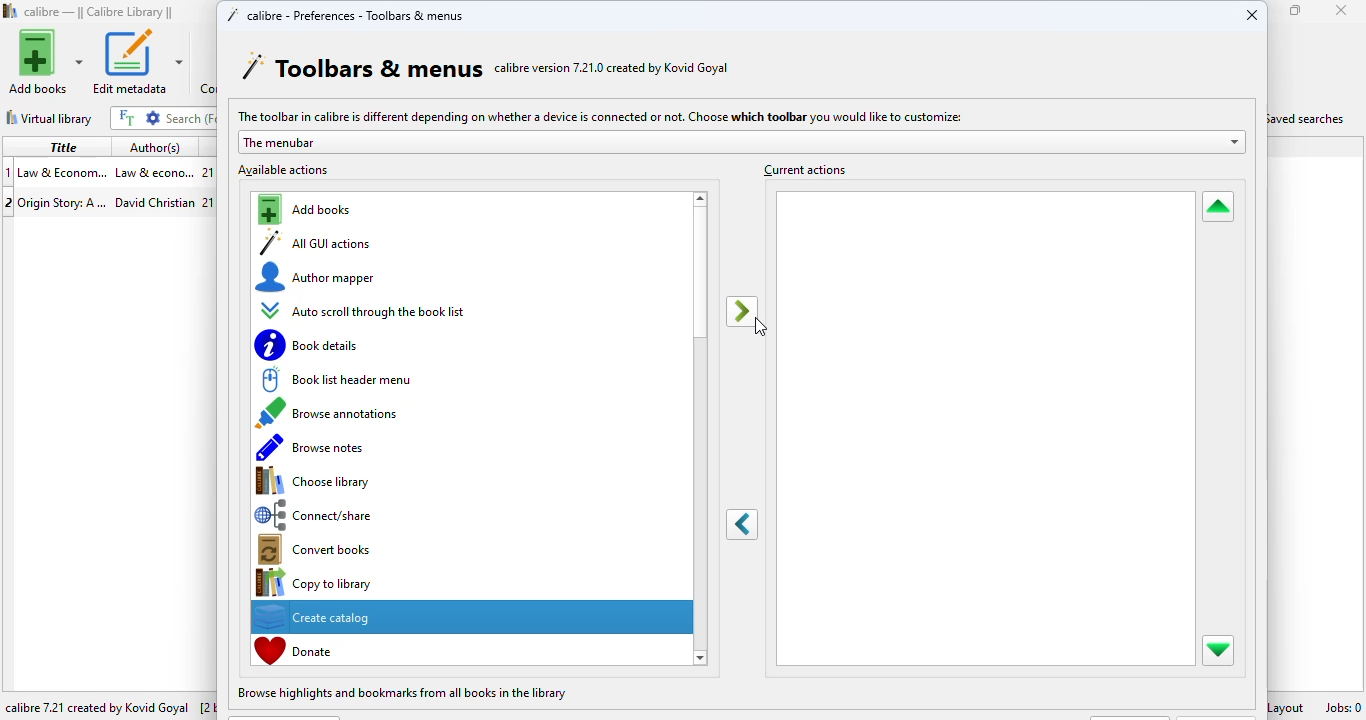 This screenshot has height=720, width=1366. Describe the element at coordinates (63, 146) in the screenshot. I see `title` at that location.